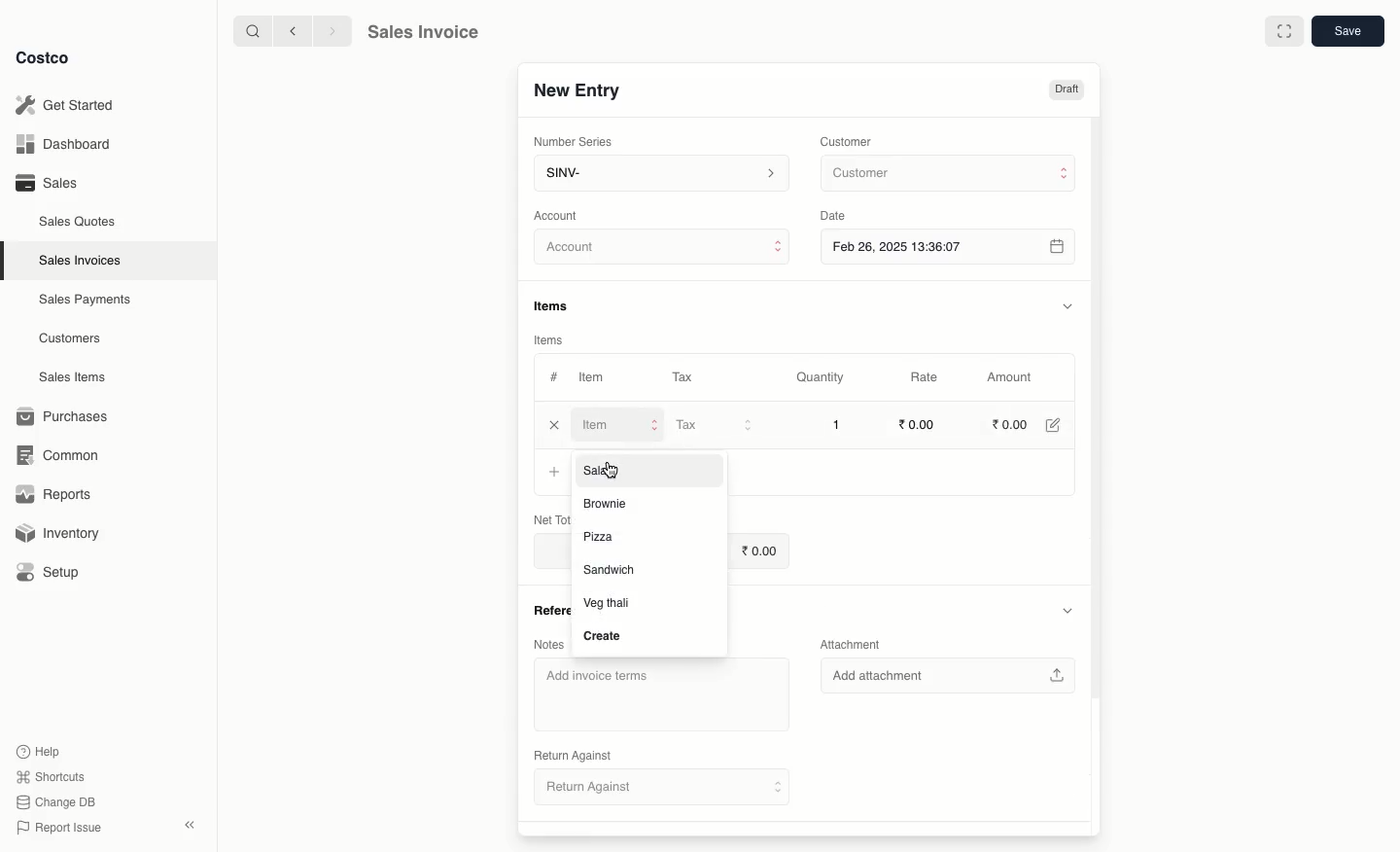 The width and height of the screenshot is (1400, 852). I want to click on Salad, so click(609, 470).